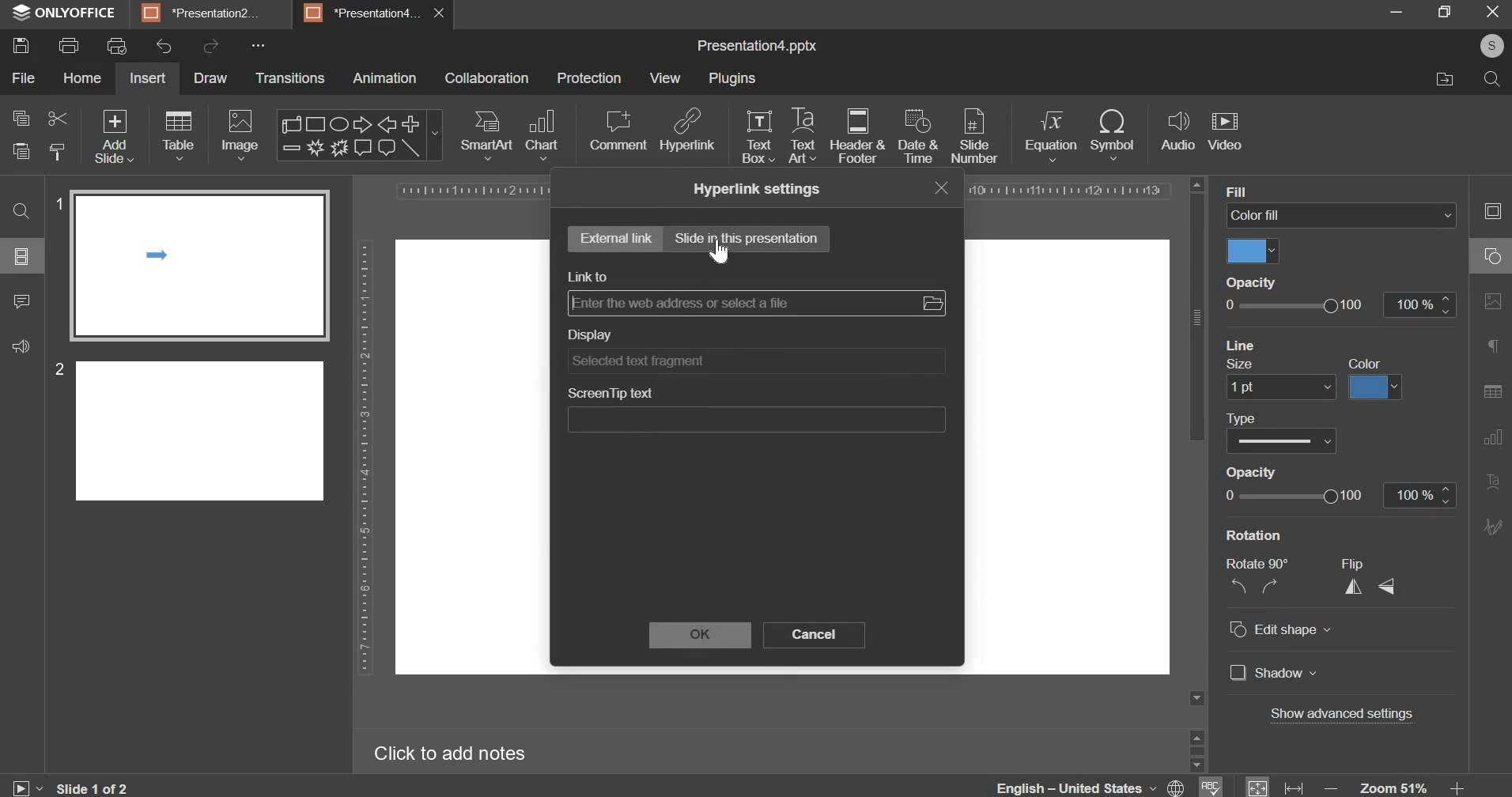 The width and height of the screenshot is (1512, 797). I want to click on , so click(1351, 716).